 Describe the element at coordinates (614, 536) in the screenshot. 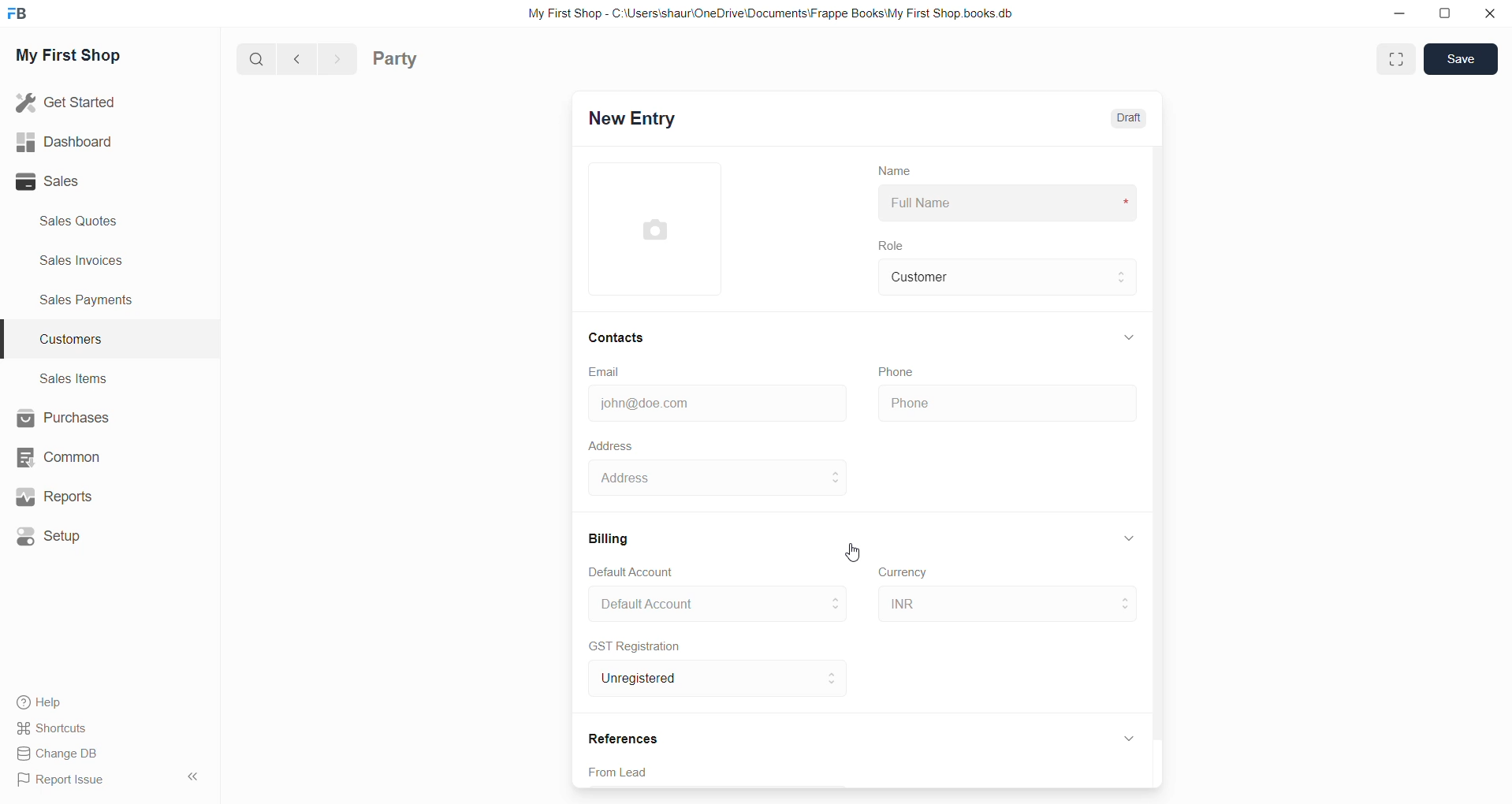

I see `Billing` at that location.